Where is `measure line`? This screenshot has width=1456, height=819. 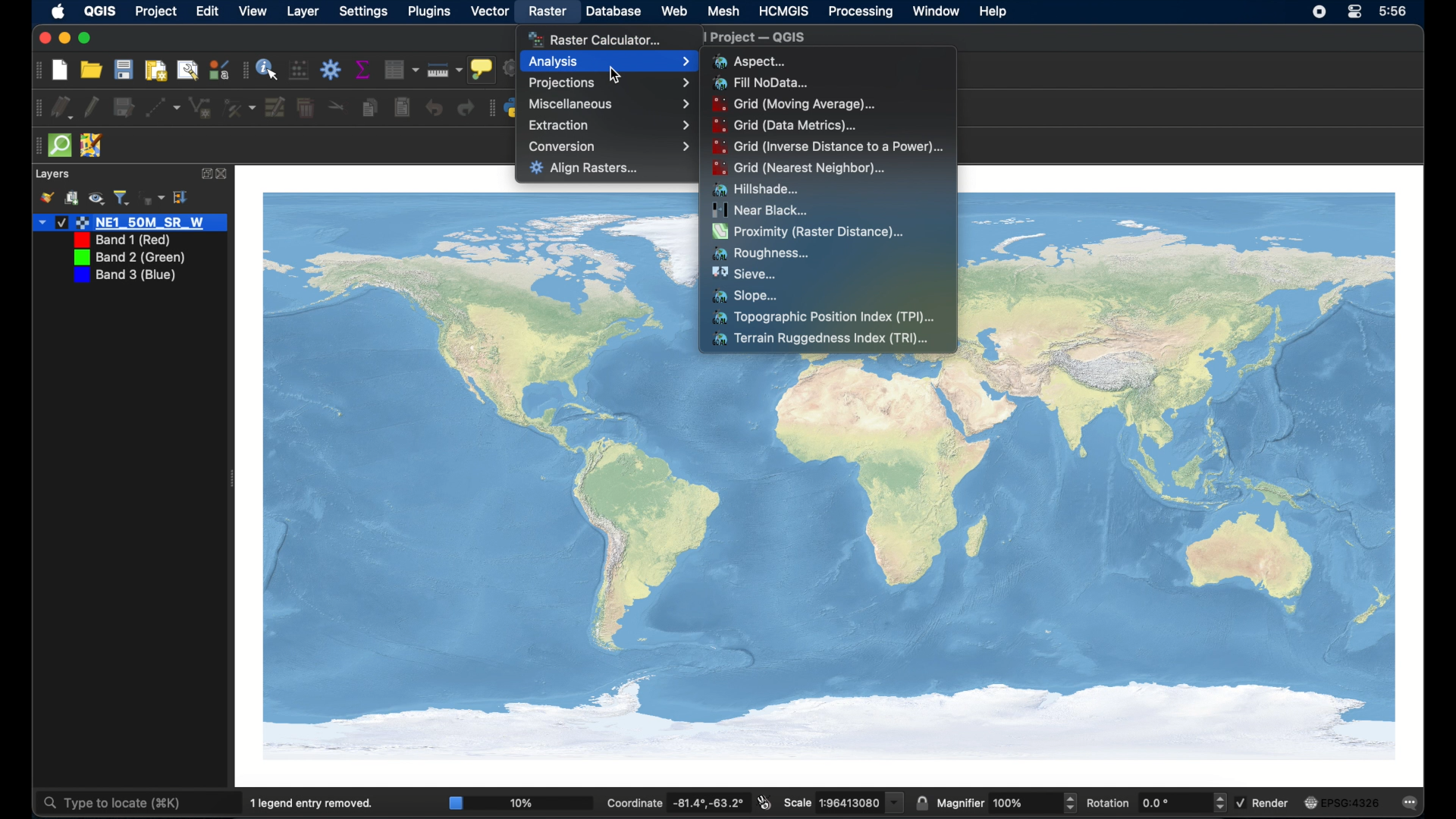
measure line is located at coordinates (444, 70).